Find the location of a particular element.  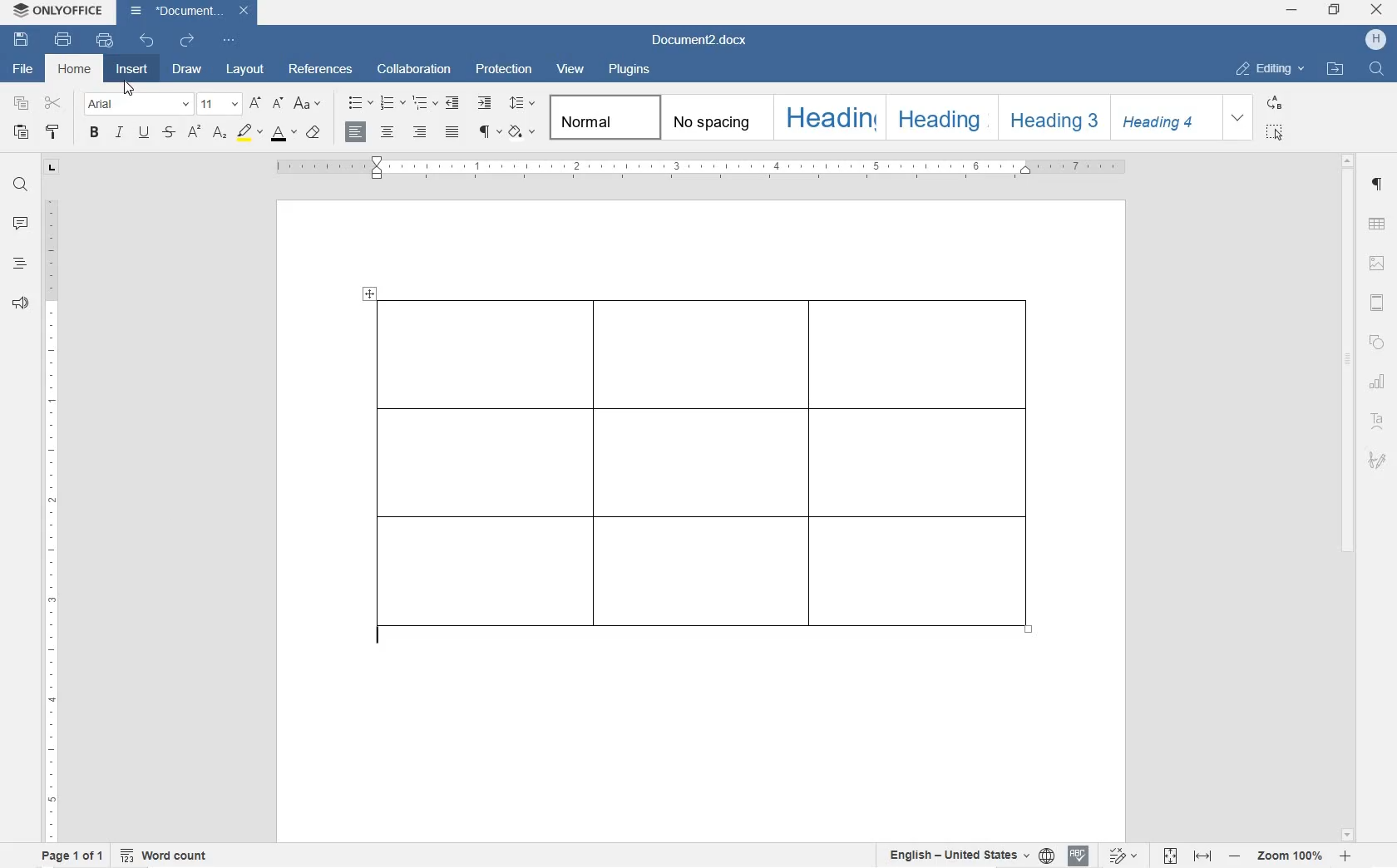

nonprinting characters is located at coordinates (491, 133).